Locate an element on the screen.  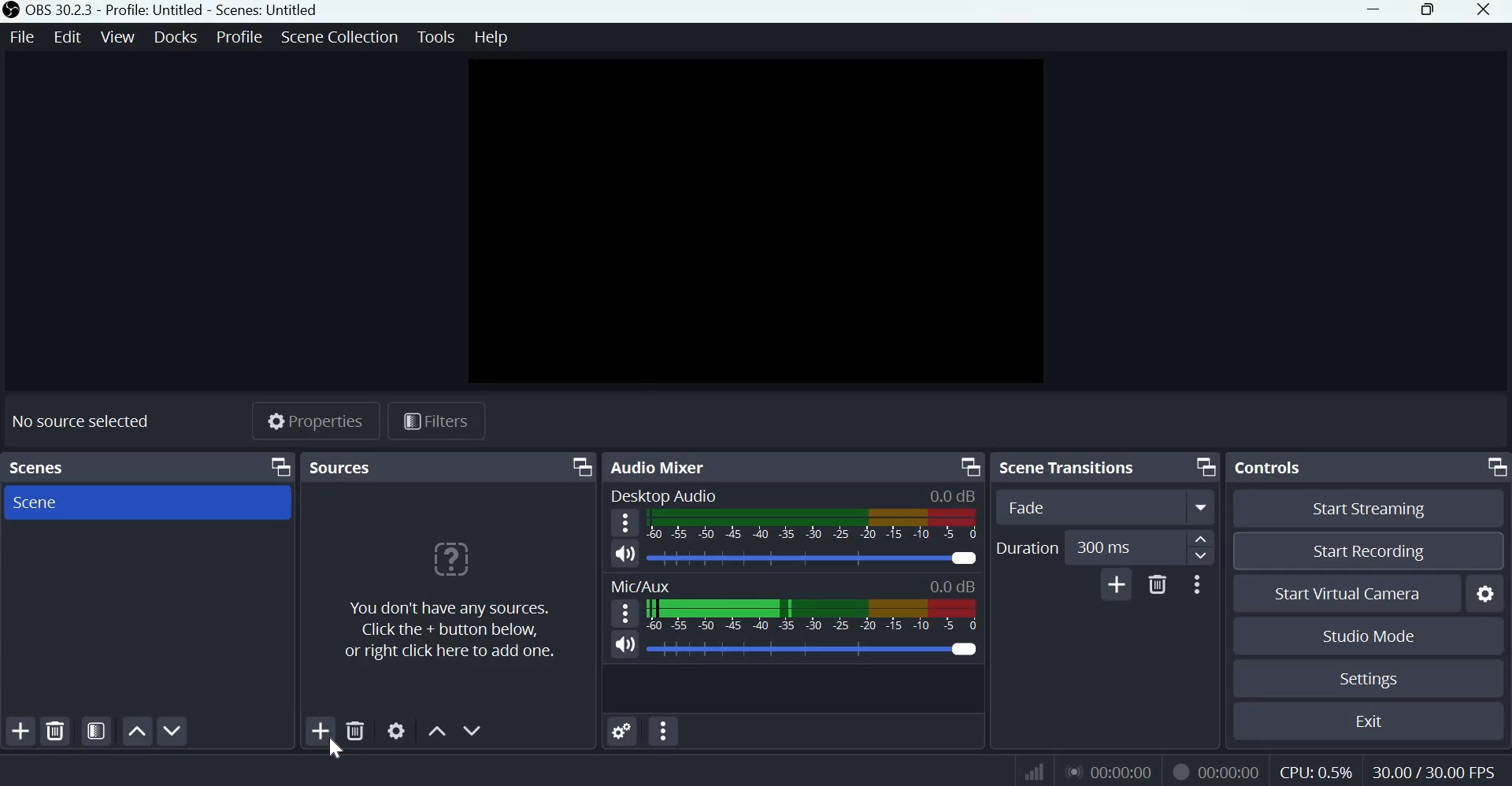
Windows size toggle is located at coordinates (1428, 11).